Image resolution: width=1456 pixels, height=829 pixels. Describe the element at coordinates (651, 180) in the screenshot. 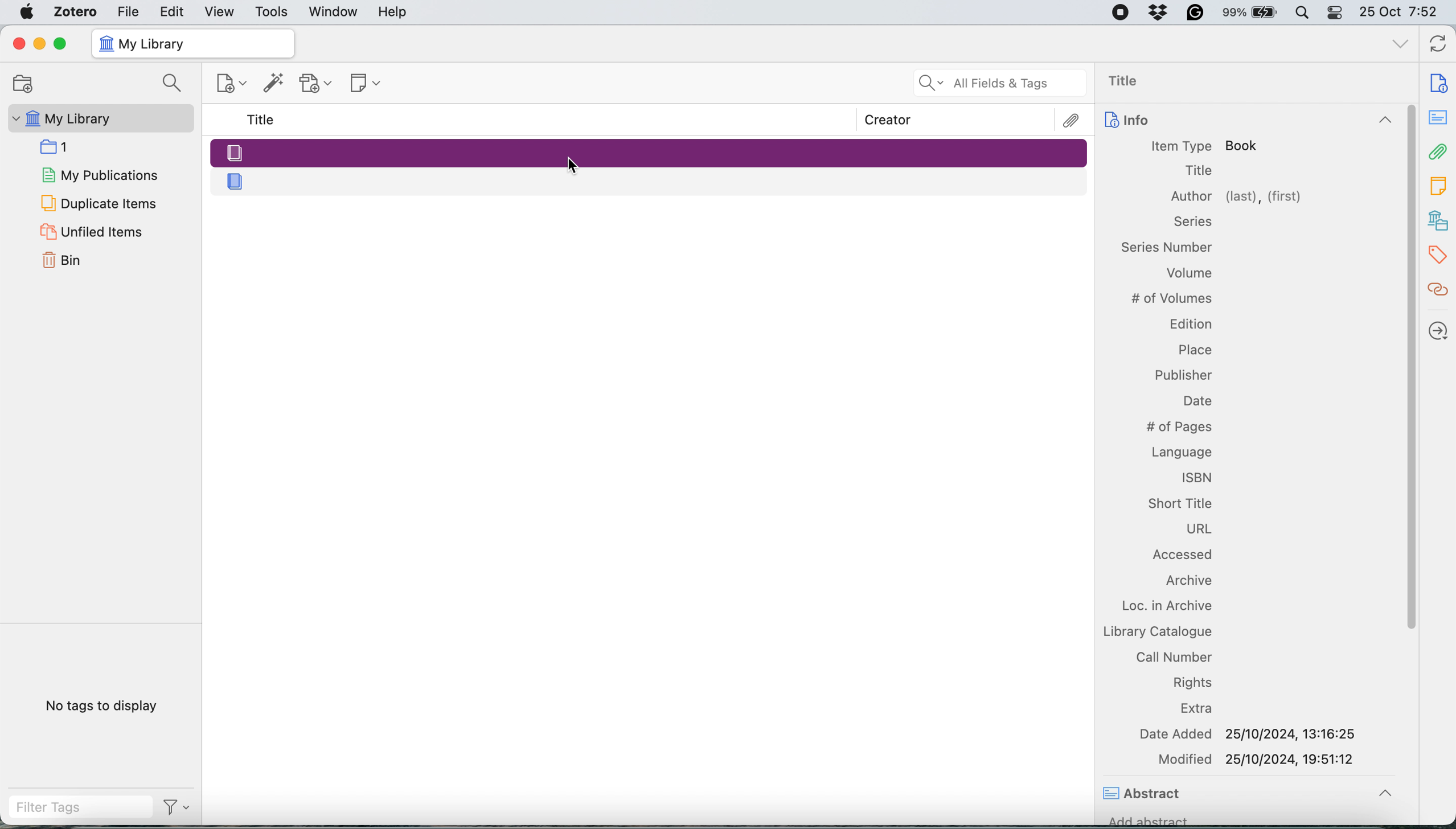

I see `Blank Entry 2` at that location.